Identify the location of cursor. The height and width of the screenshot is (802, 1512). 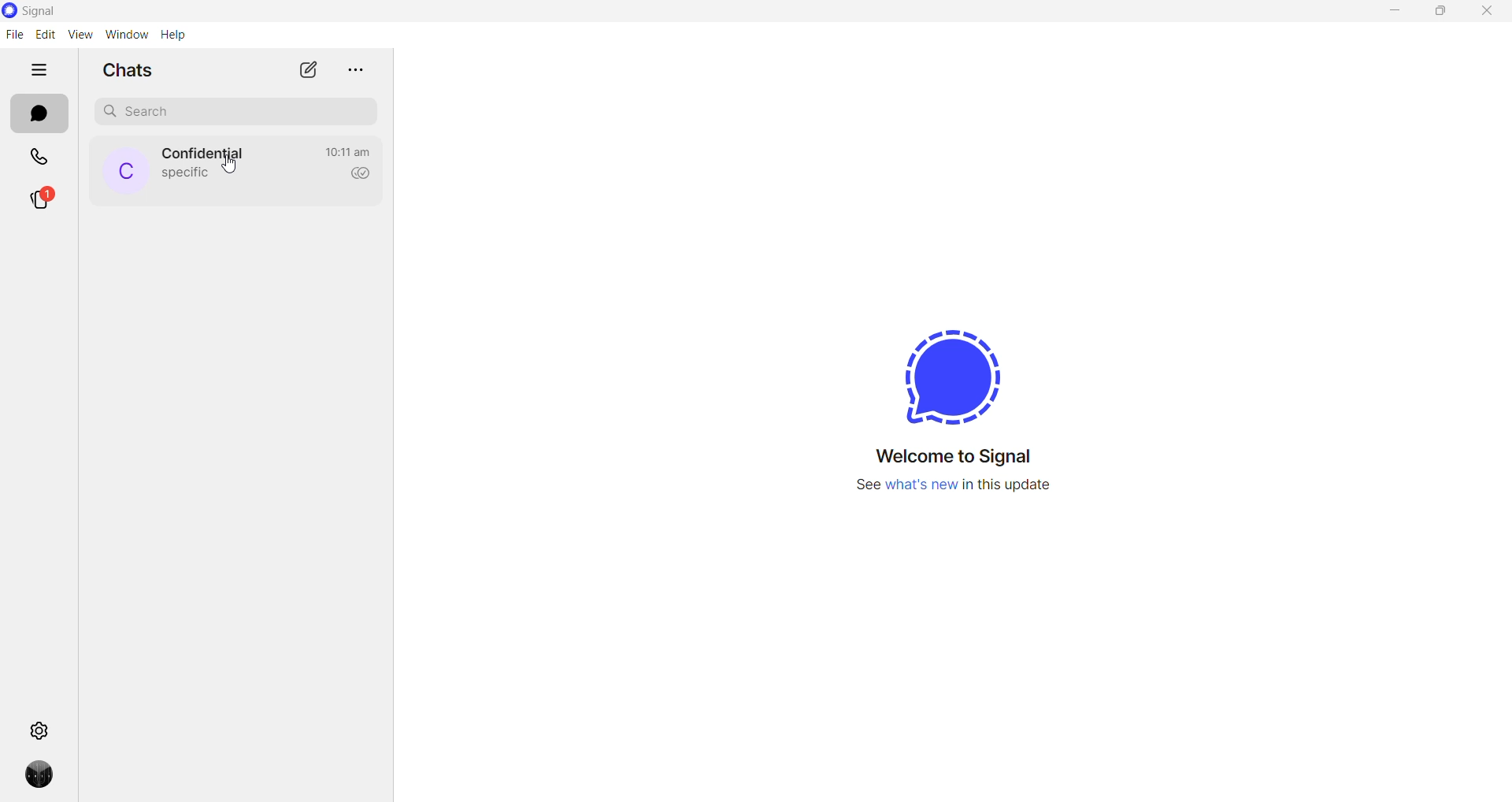
(234, 166).